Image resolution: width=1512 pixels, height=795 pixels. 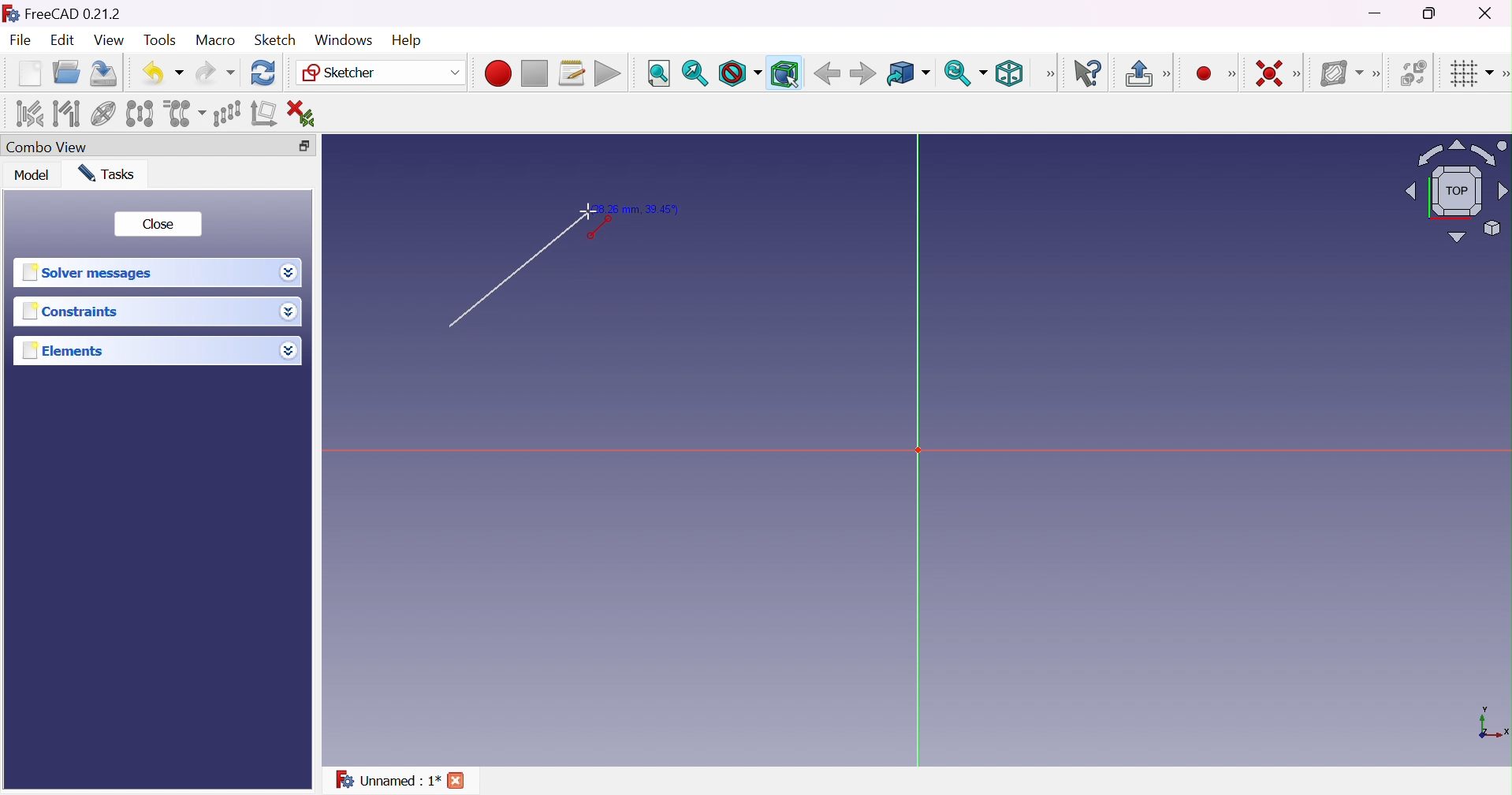 I want to click on [View], so click(x=1050, y=73).